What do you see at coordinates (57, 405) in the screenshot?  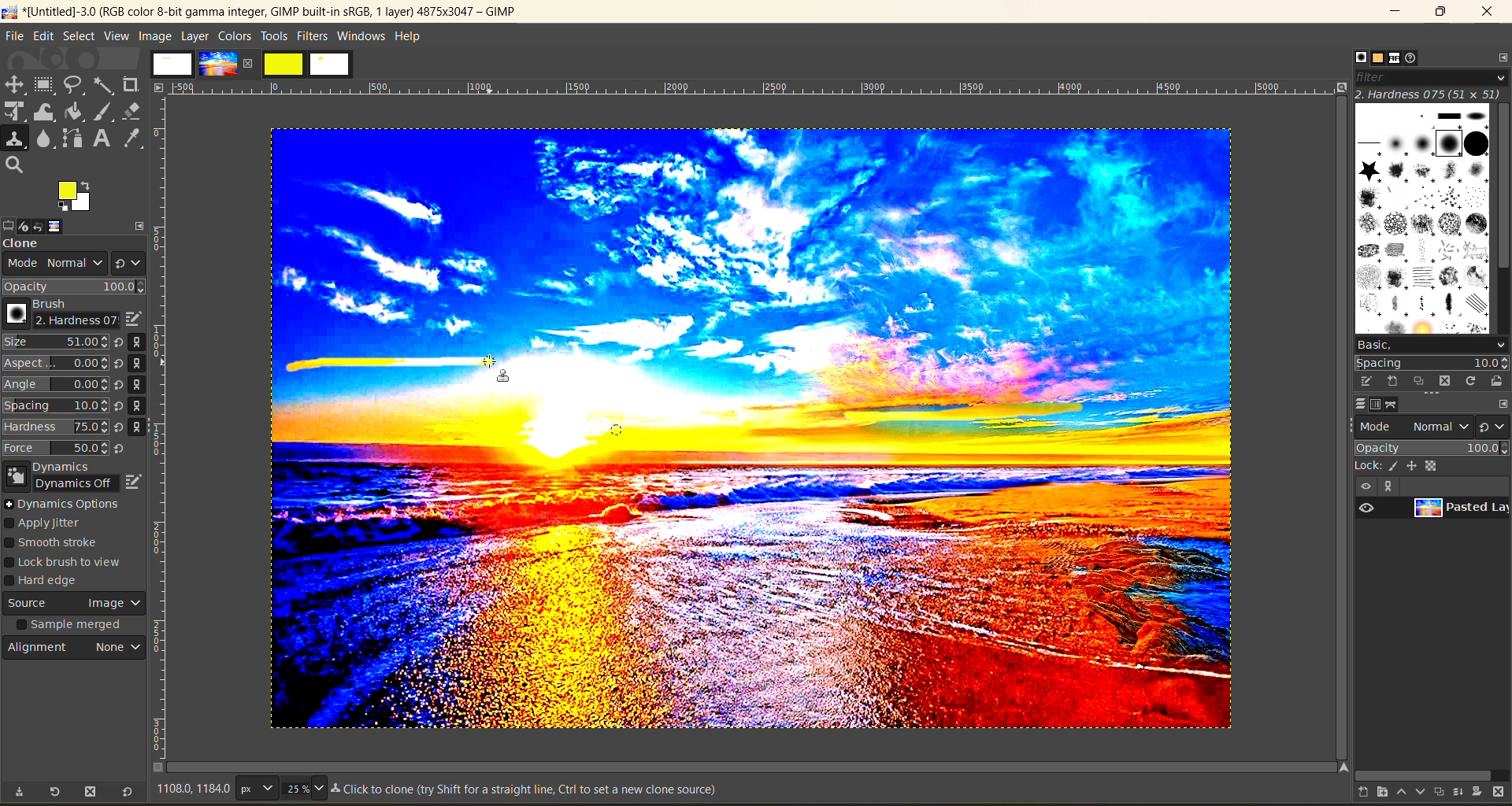 I see `Spacing 10.02` at bounding box center [57, 405].